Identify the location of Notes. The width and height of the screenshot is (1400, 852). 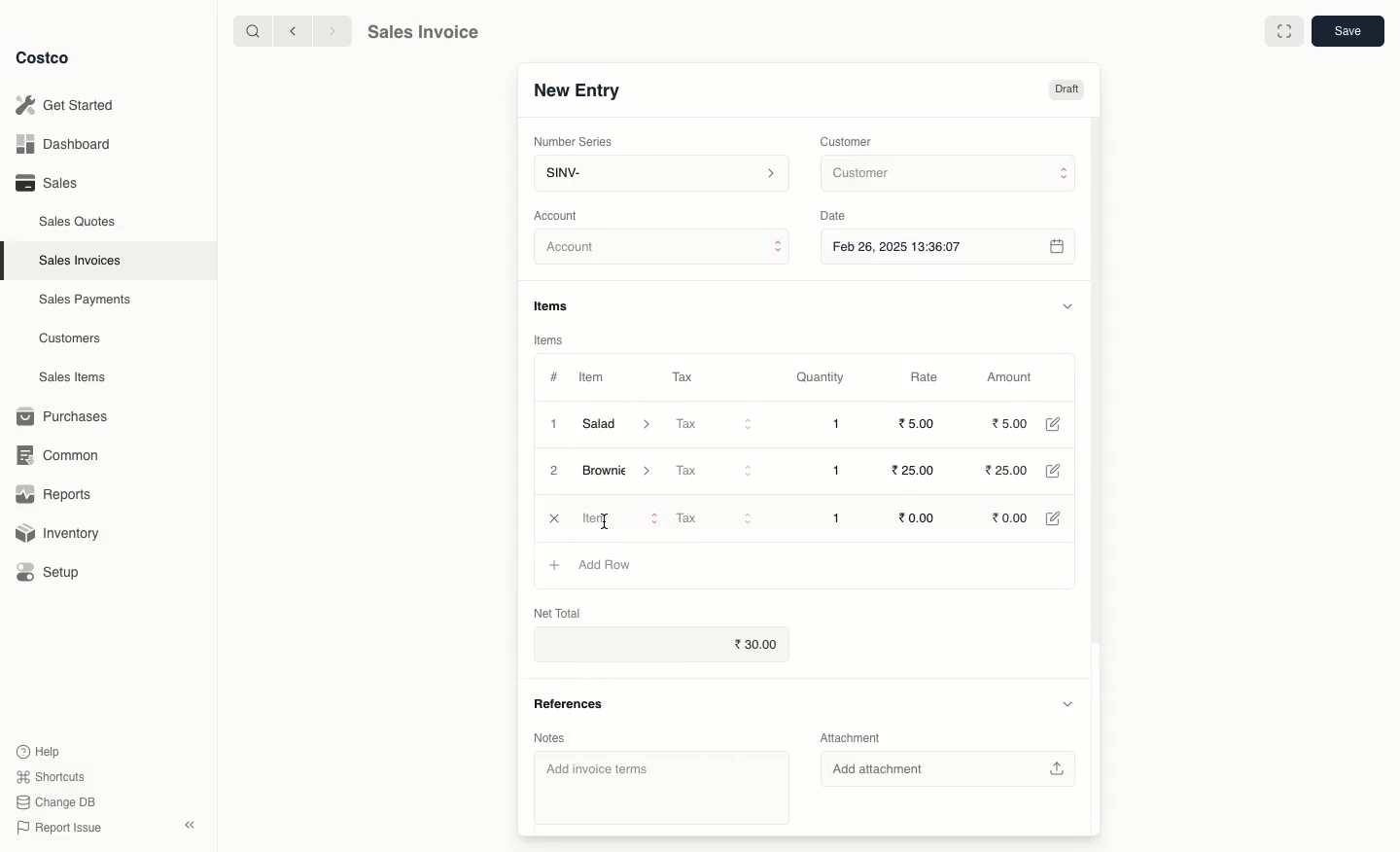
(551, 734).